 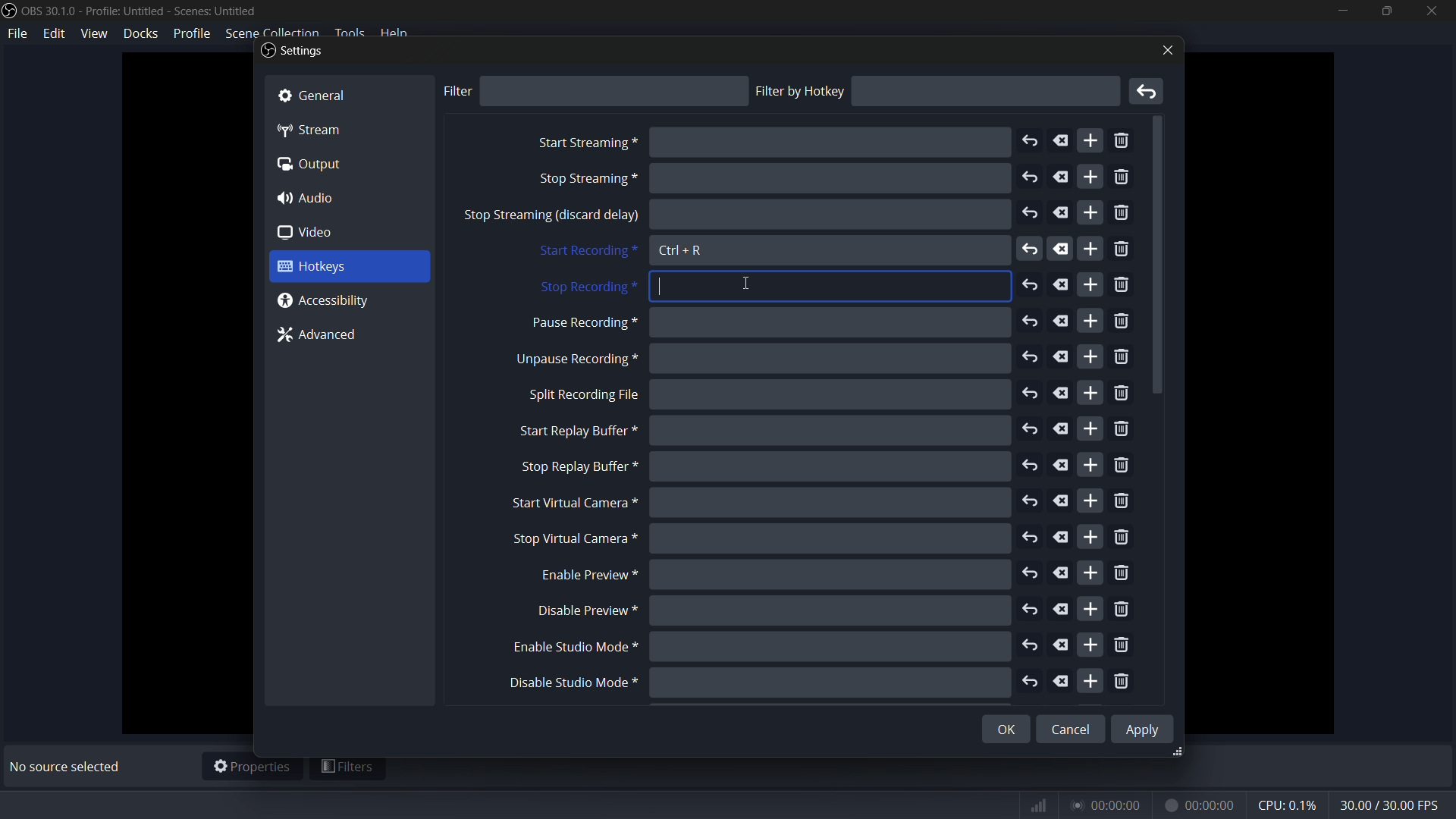 I want to click on add more, so click(x=1091, y=610).